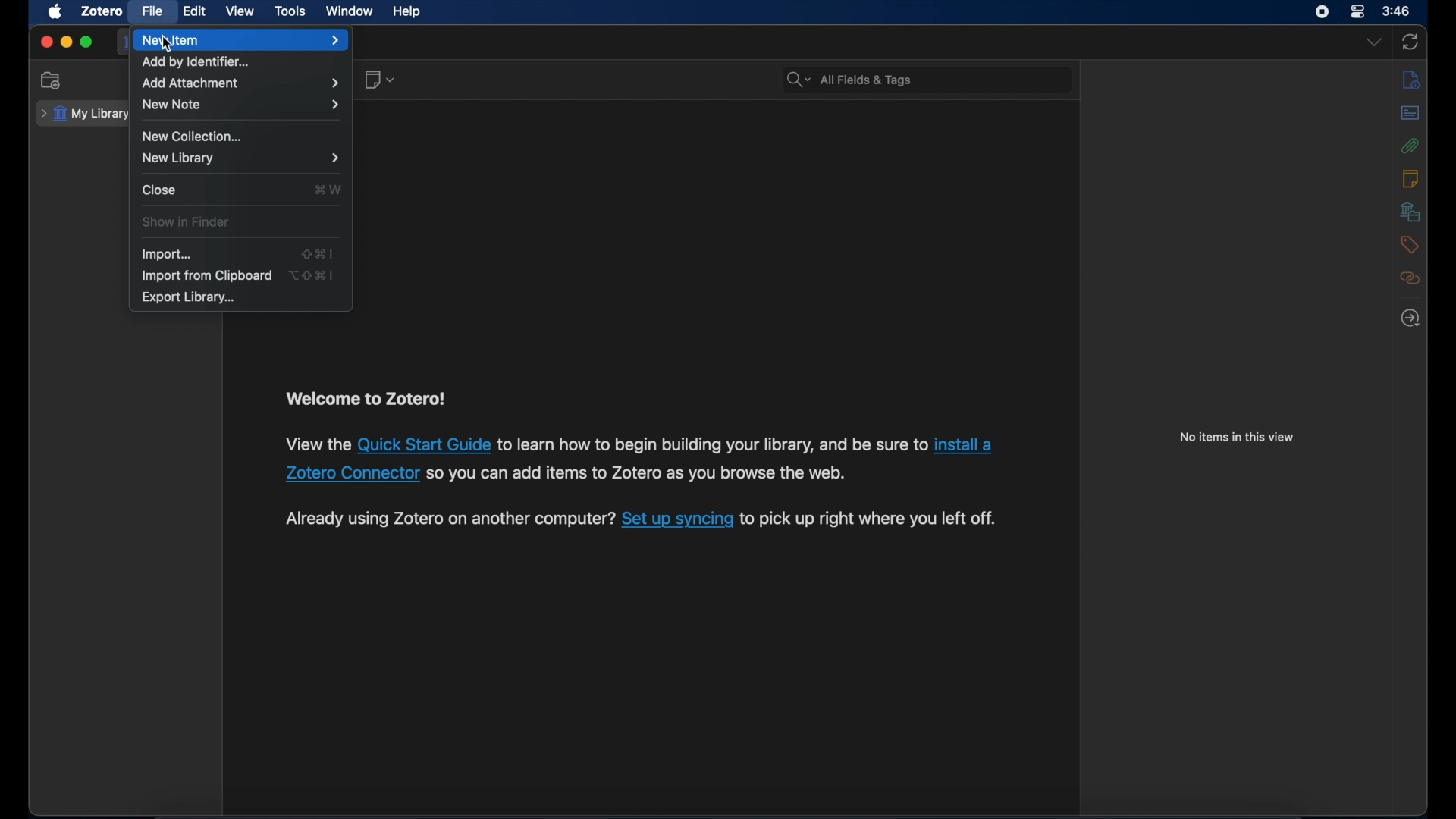 Image resolution: width=1456 pixels, height=819 pixels. What do you see at coordinates (408, 11) in the screenshot?
I see `help` at bounding box center [408, 11].